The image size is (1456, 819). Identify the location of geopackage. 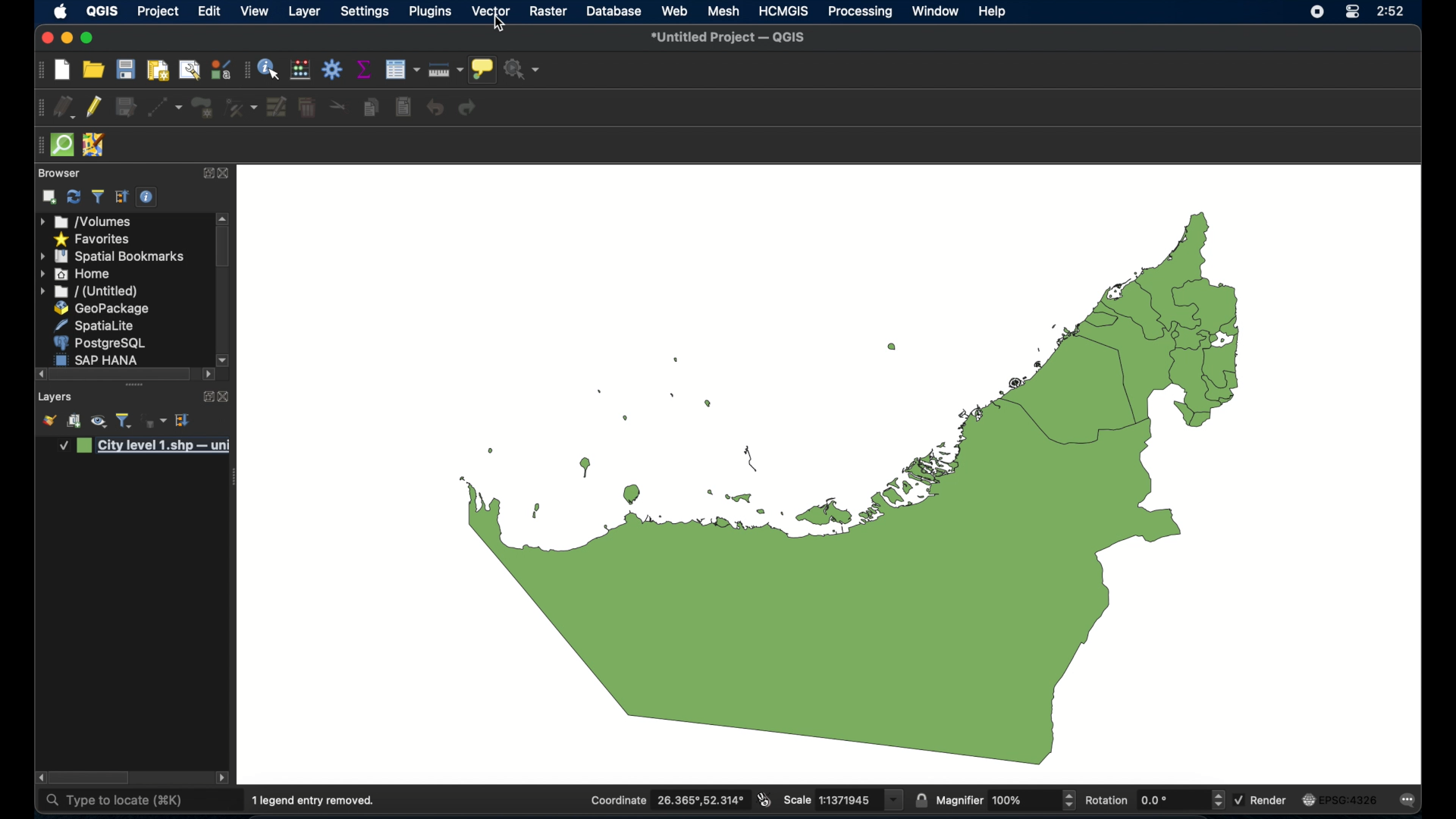
(102, 308).